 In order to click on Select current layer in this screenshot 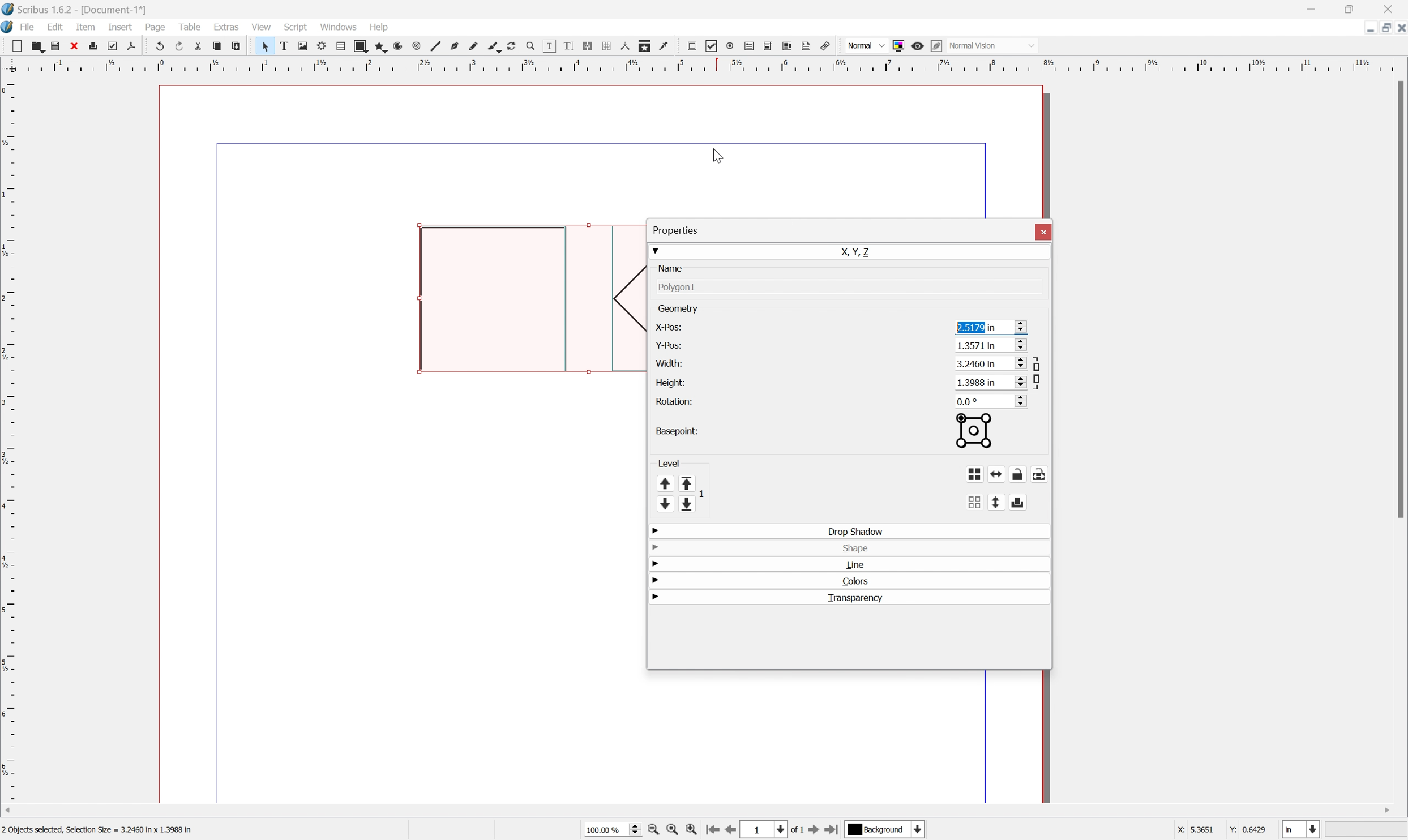, I will do `click(889, 829)`.